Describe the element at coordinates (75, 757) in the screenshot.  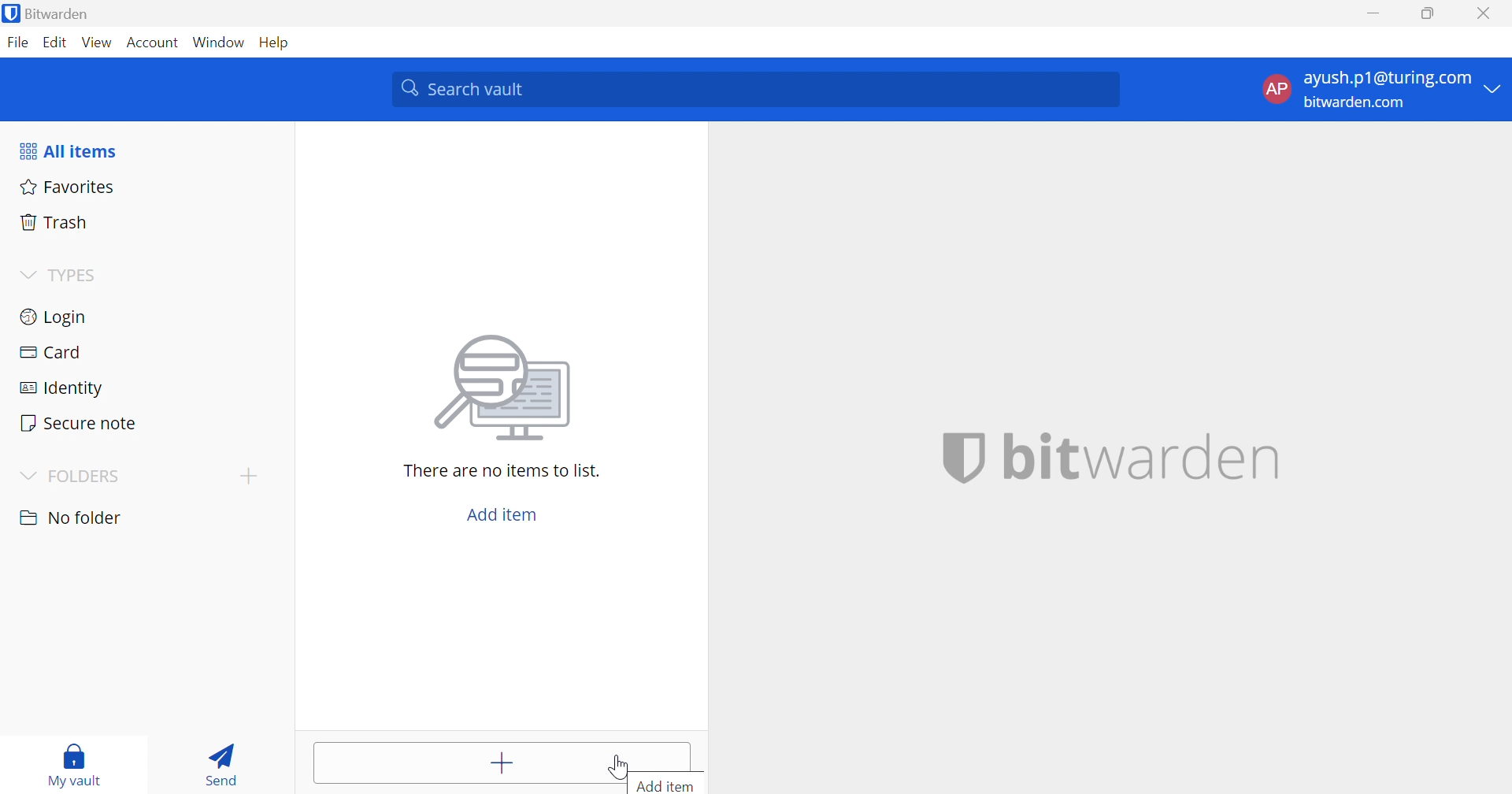
I see `My vault` at that location.